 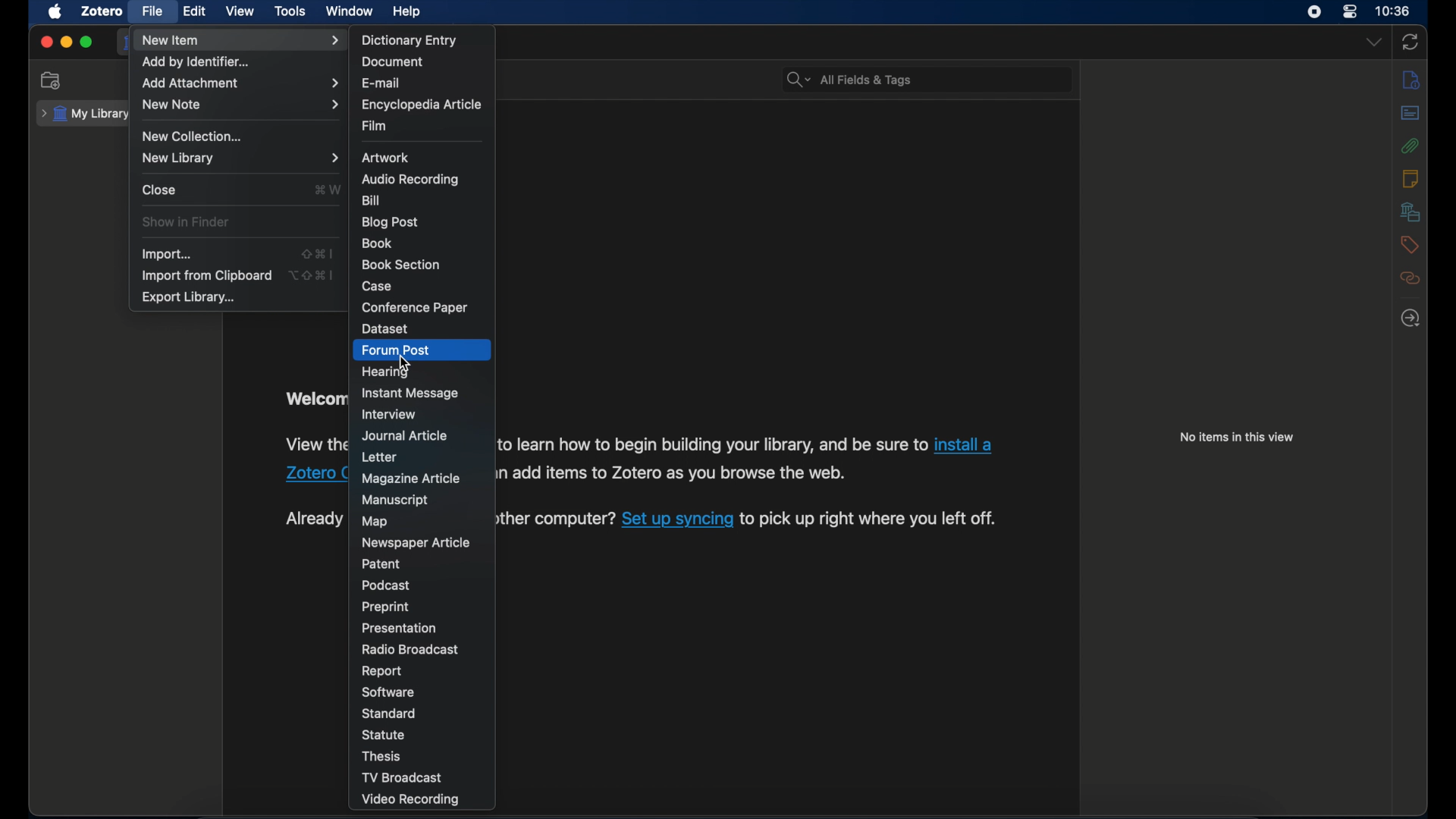 What do you see at coordinates (1410, 212) in the screenshot?
I see `libraries` at bounding box center [1410, 212].